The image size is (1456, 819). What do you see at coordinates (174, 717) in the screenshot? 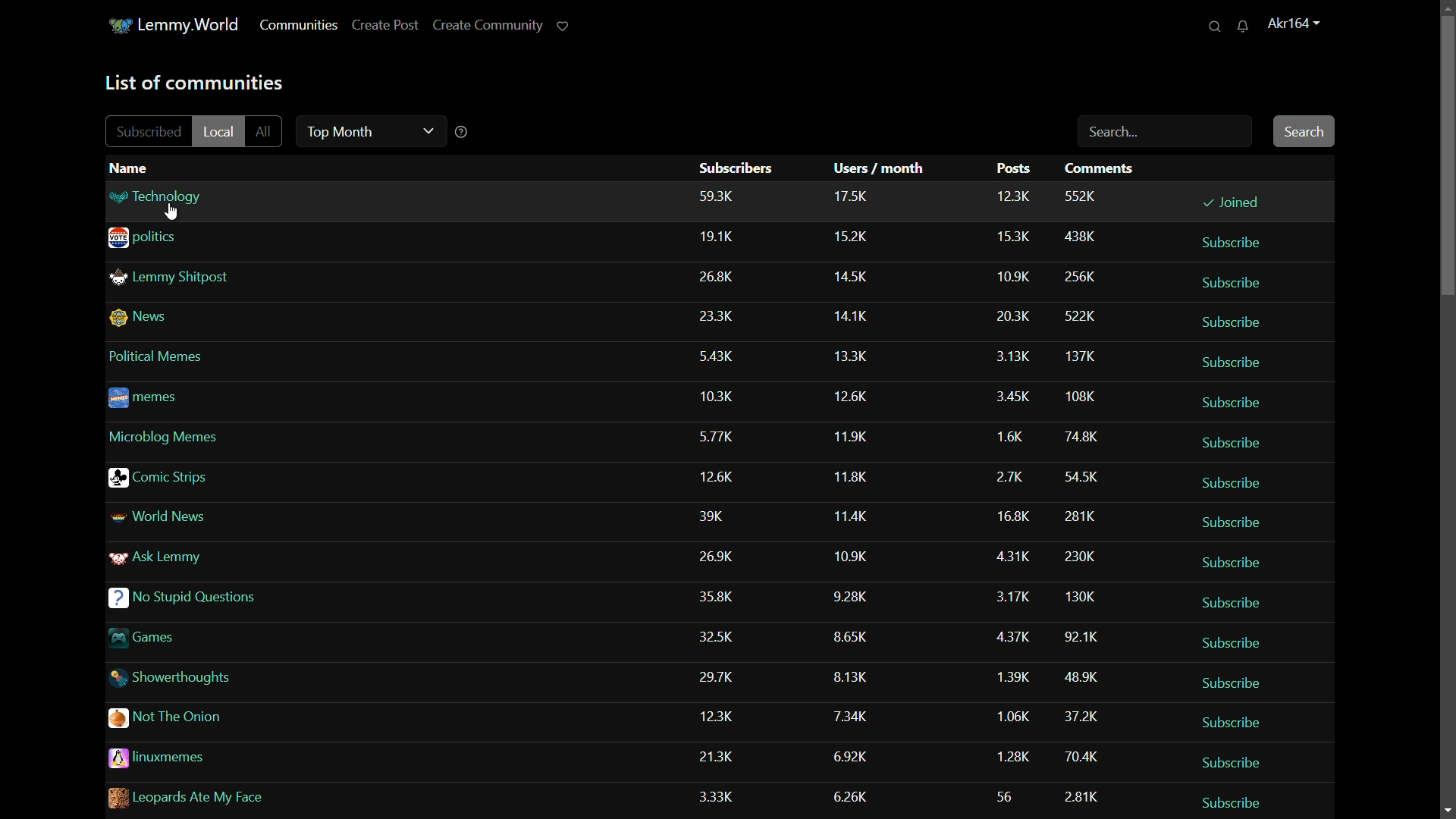
I see `communities name` at bounding box center [174, 717].